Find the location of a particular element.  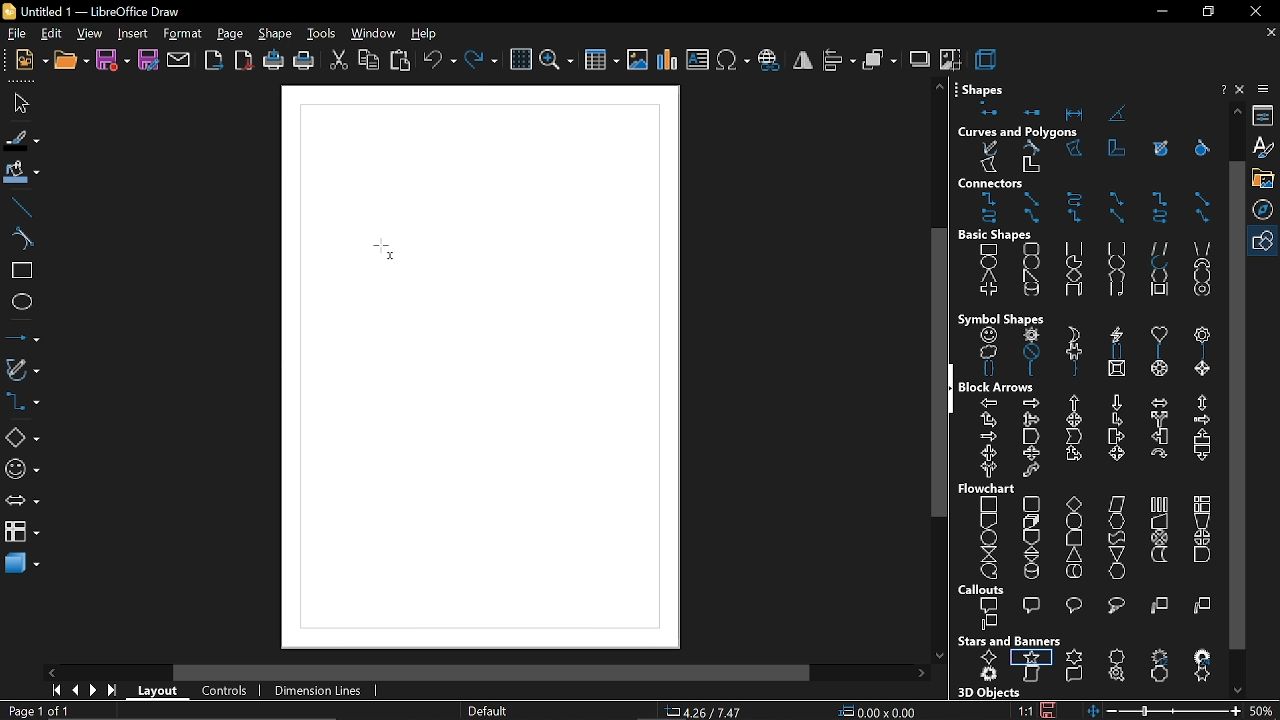

symbol shapes is located at coordinates (1090, 352).